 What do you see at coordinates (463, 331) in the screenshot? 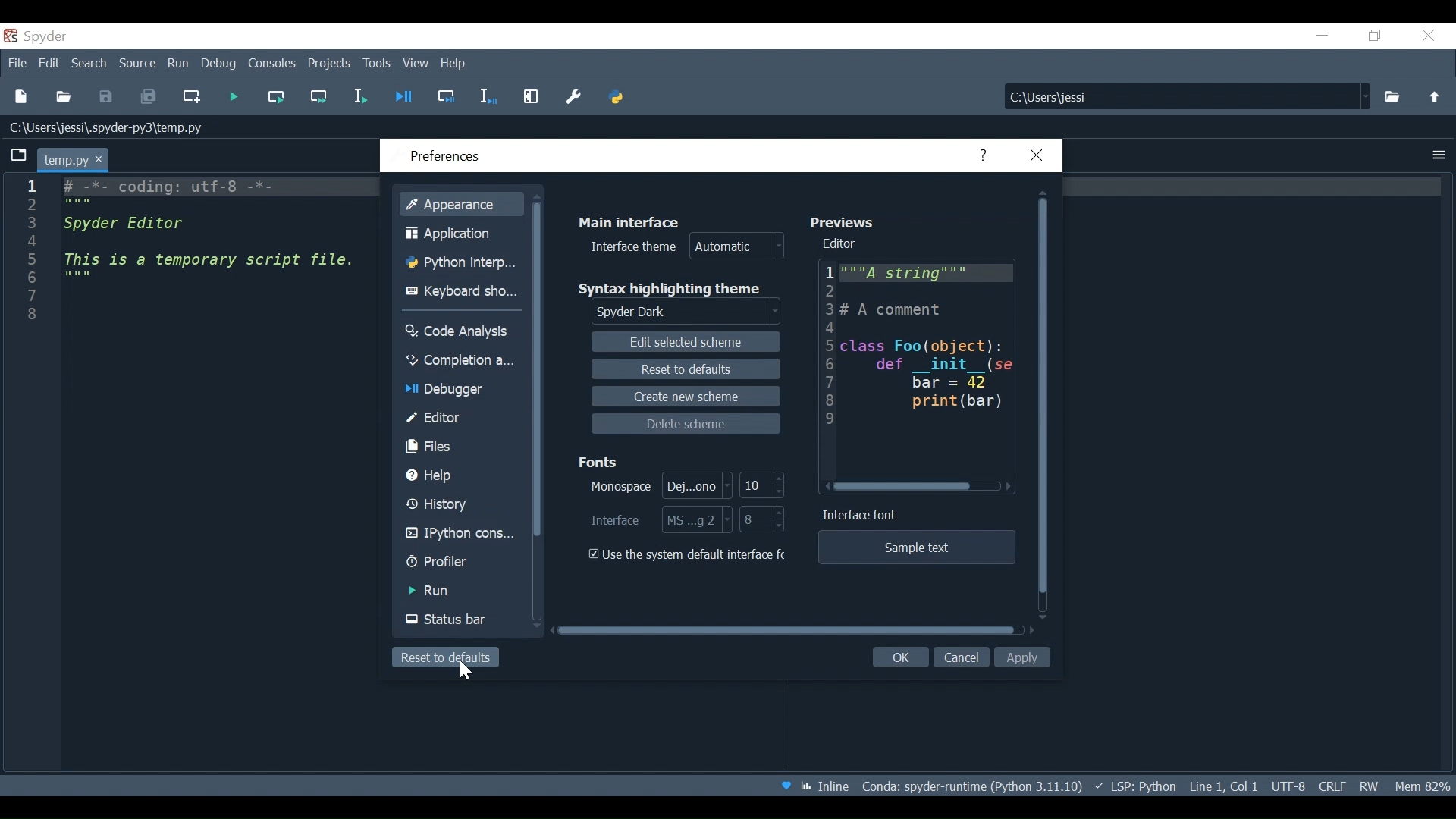
I see `Code Analysis` at bounding box center [463, 331].